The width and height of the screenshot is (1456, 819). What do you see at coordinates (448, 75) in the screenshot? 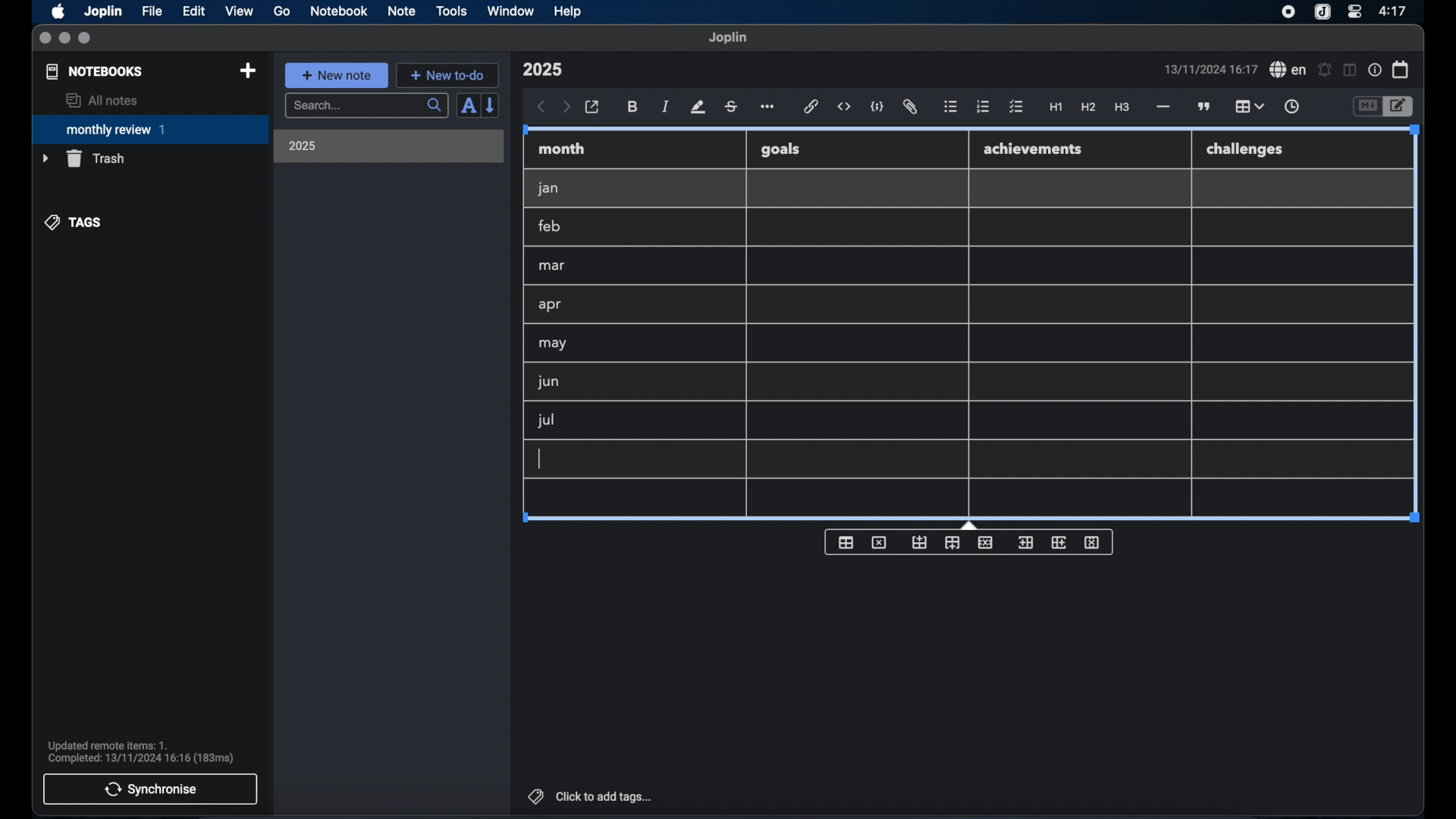
I see `new to-do` at bounding box center [448, 75].